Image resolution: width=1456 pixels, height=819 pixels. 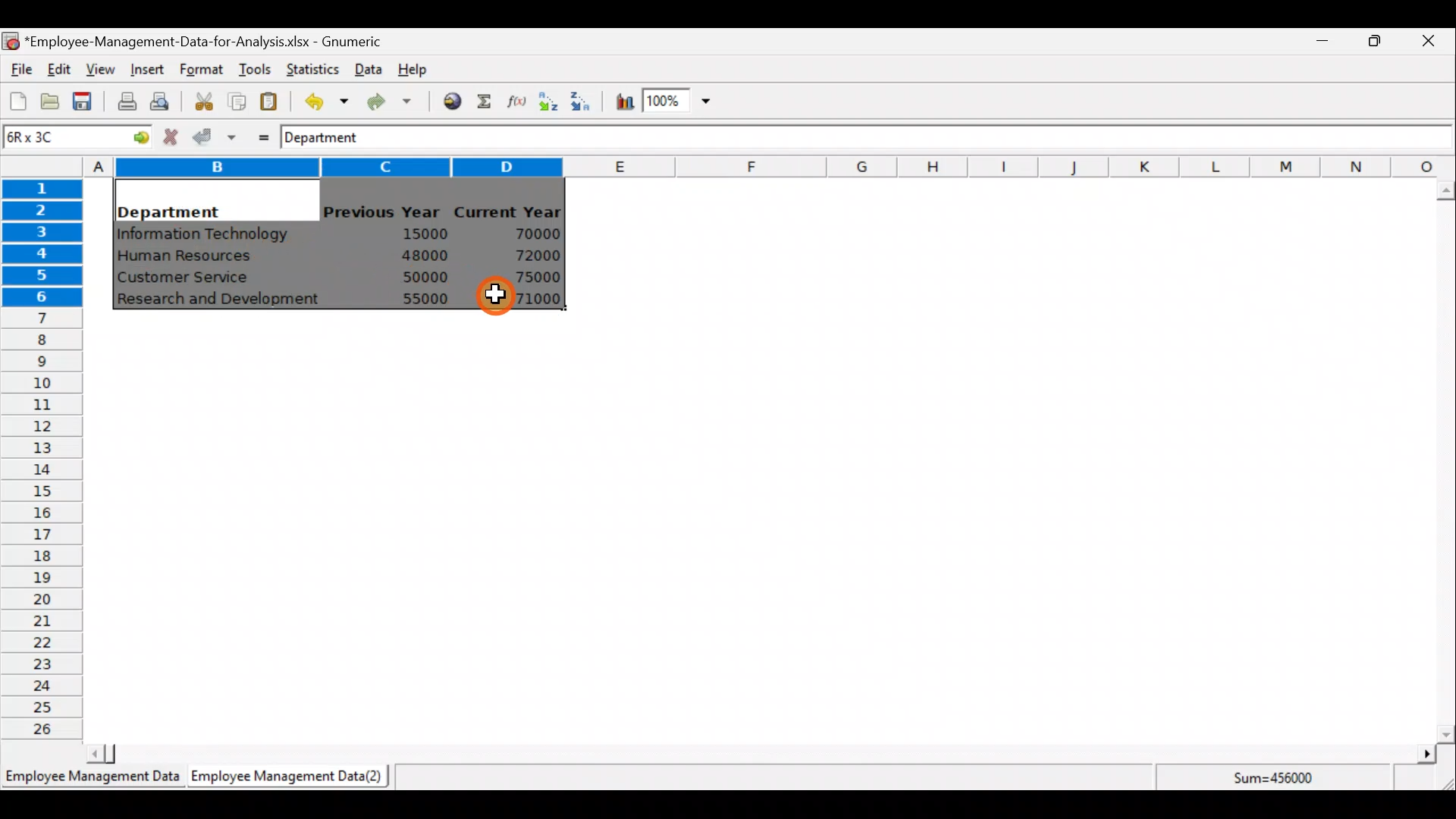 I want to click on Tools, so click(x=254, y=71).